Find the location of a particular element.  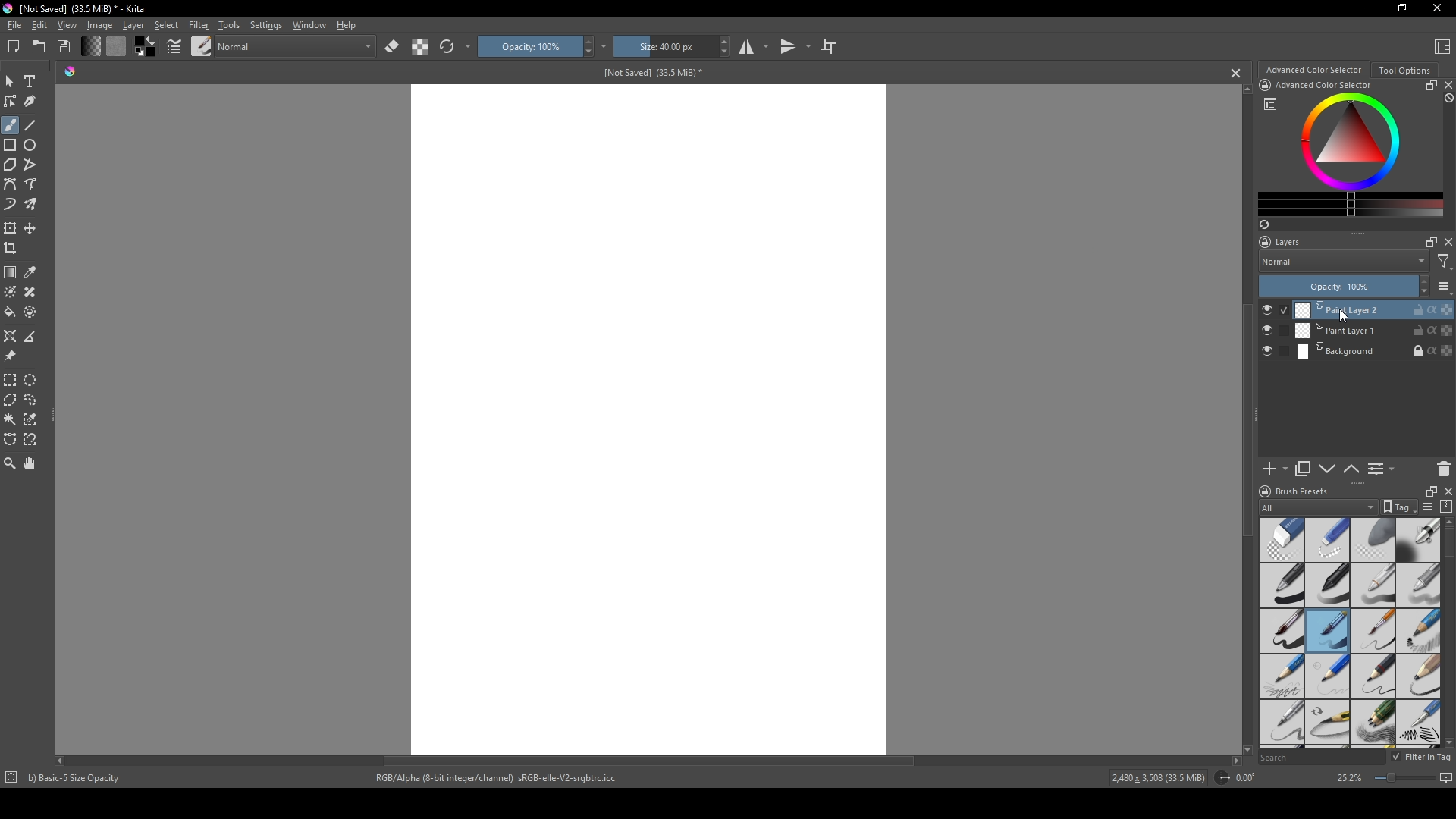

pencils is located at coordinates (1372, 723).